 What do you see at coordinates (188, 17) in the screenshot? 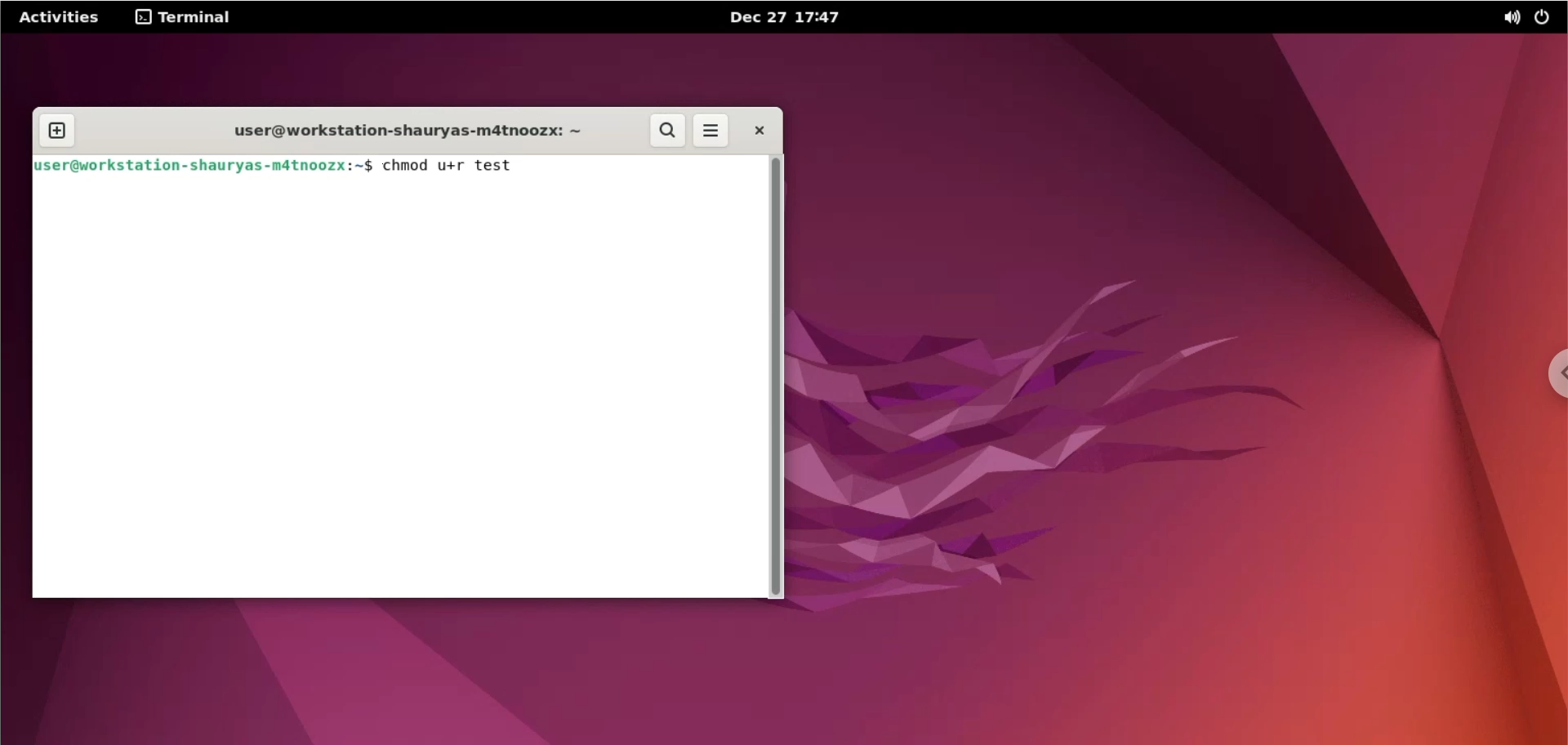
I see `terminal` at bounding box center [188, 17].